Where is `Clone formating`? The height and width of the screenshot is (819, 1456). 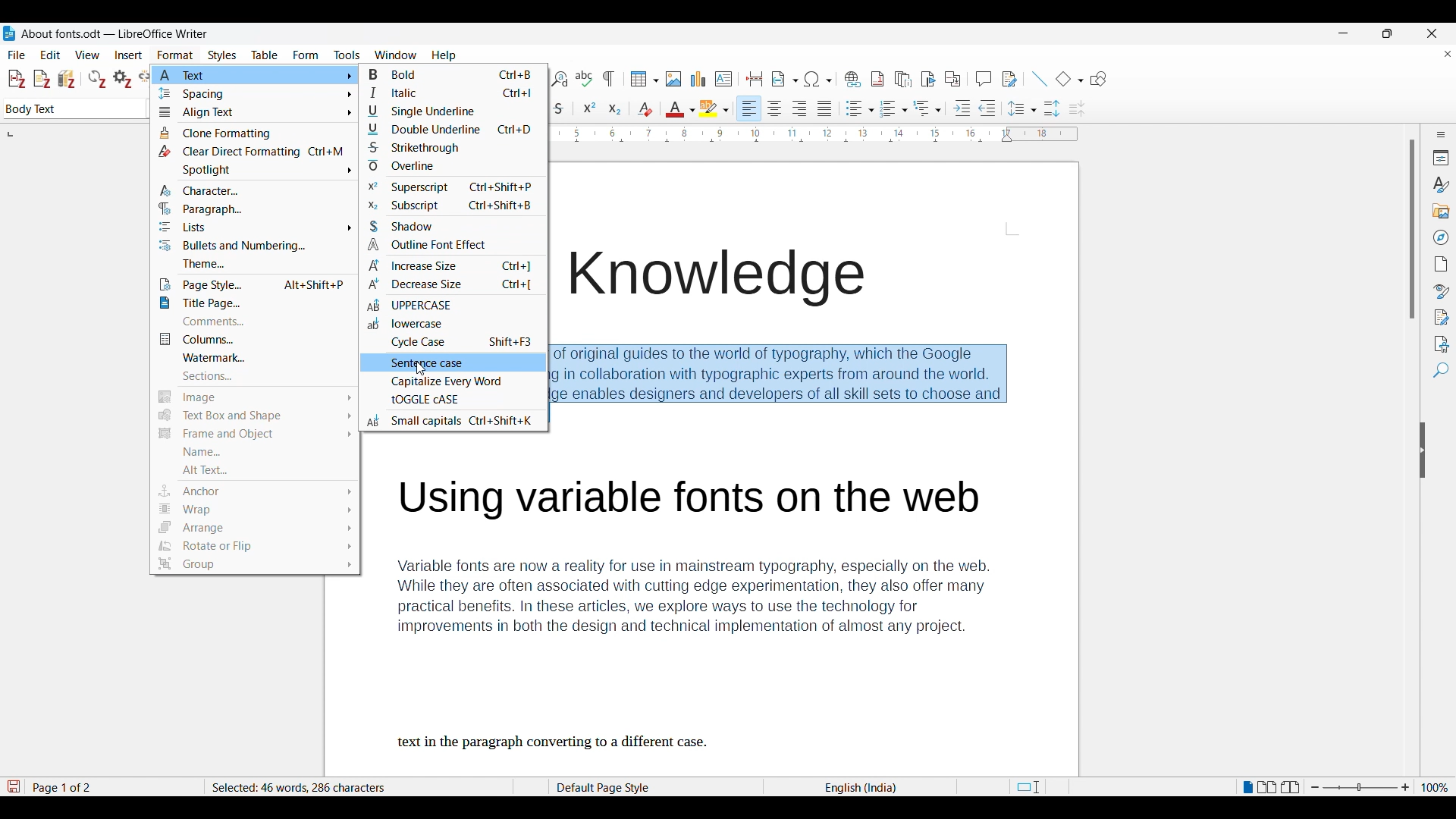
Clone formating is located at coordinates (249, 134).